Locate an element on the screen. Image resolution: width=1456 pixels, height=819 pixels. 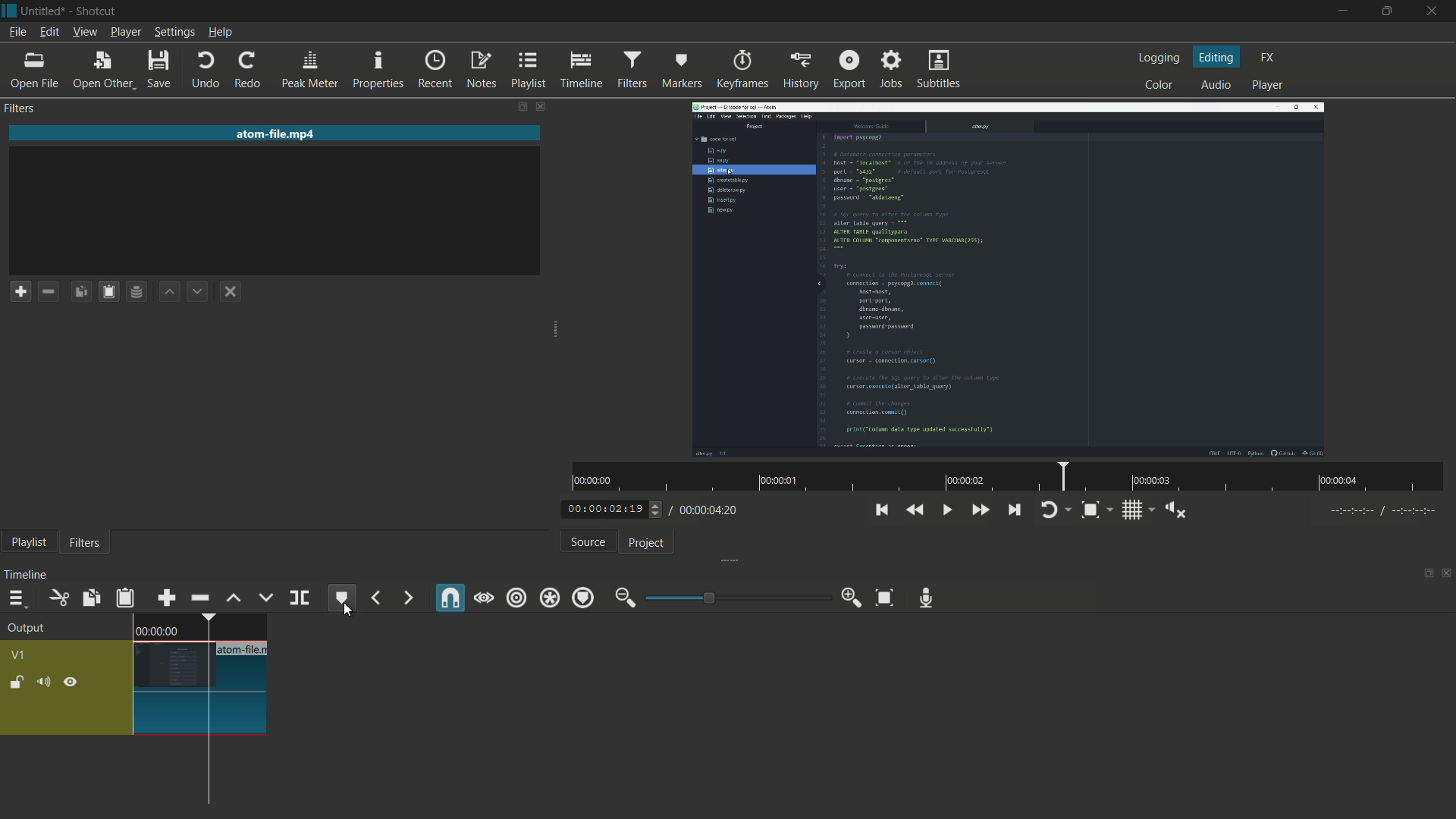
previous marker is located at coordinates (375, 599).